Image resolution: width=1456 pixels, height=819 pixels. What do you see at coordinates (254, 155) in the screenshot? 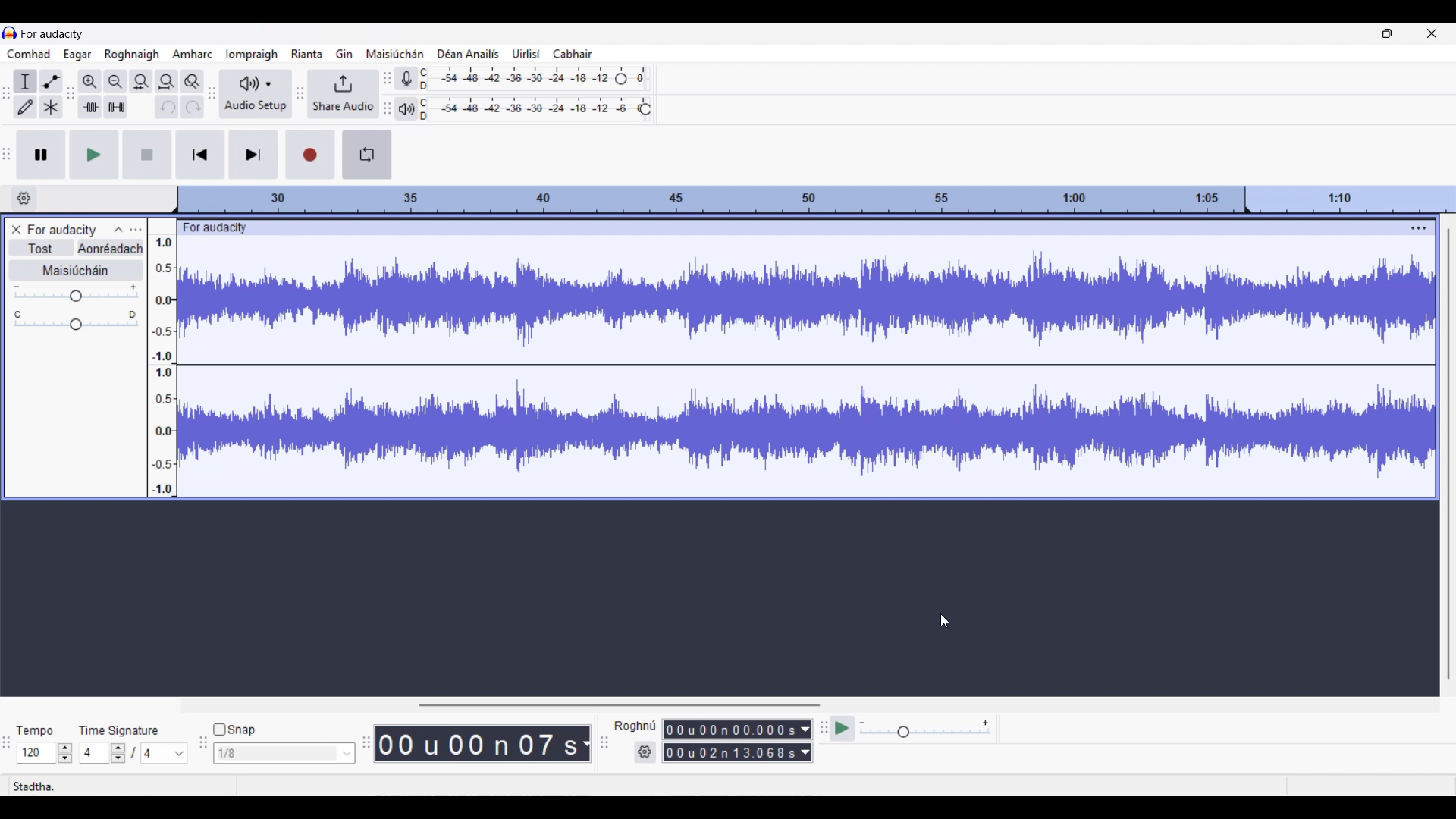
I see `Skip/Select to end` at bounding box center [254, 155].